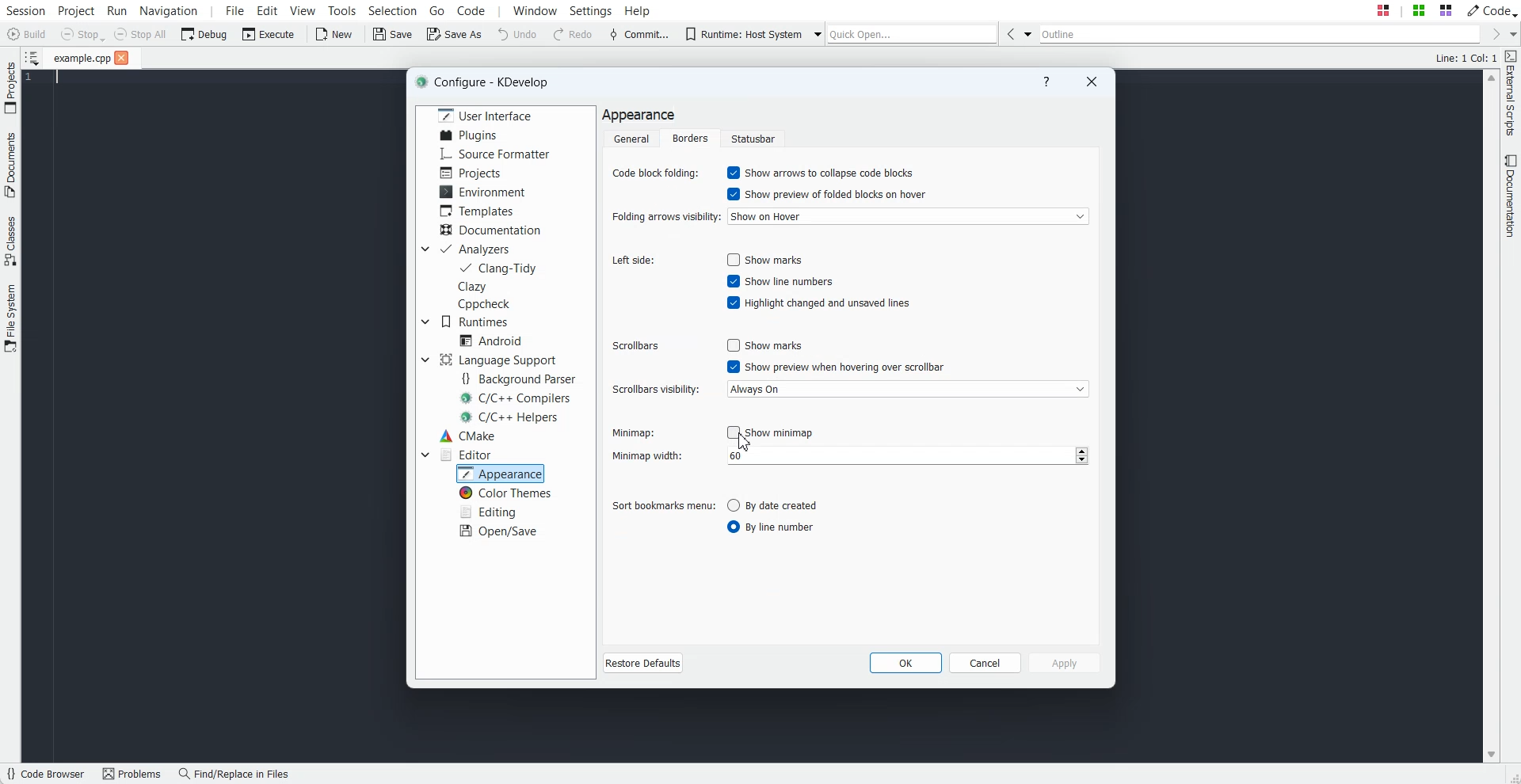 The width and height of the screenshot is (1521, 784). What do you see at coordinates (267, 10) in the screenshot?
I see `Edit` at bounding box center [267, 10].